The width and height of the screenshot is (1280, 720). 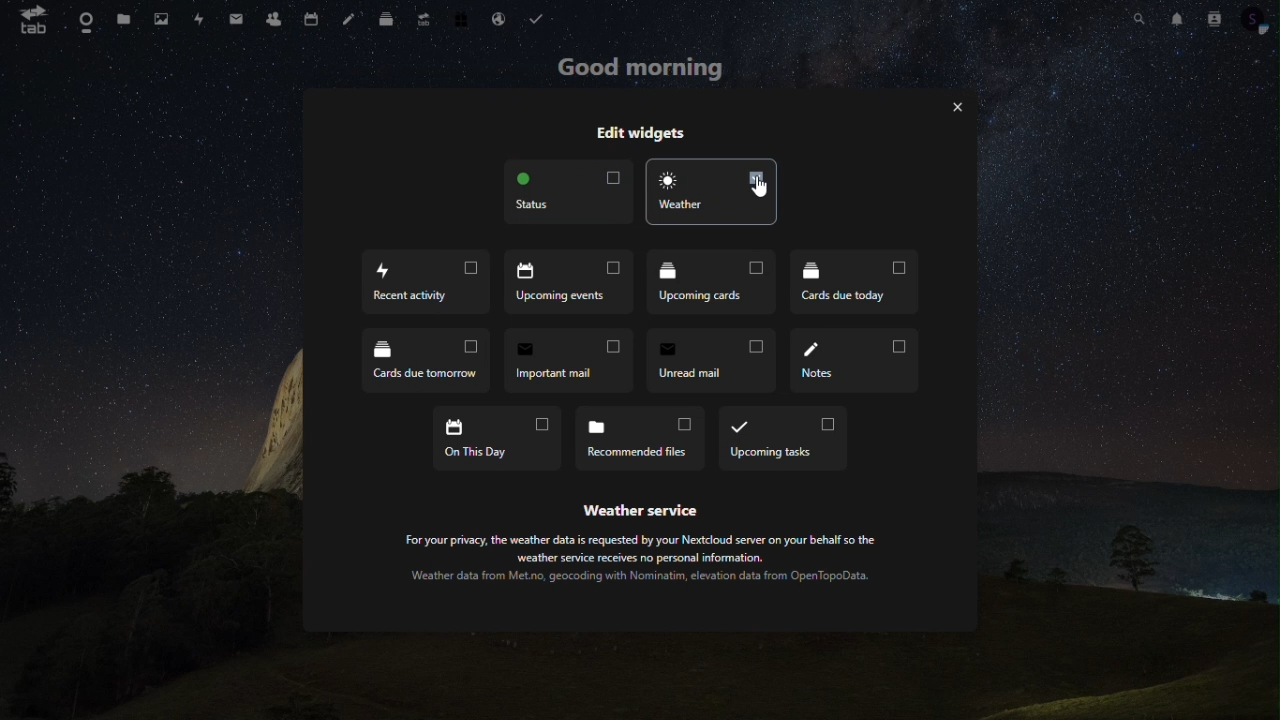 I want to click on cursor, so click(x=762, y=190).